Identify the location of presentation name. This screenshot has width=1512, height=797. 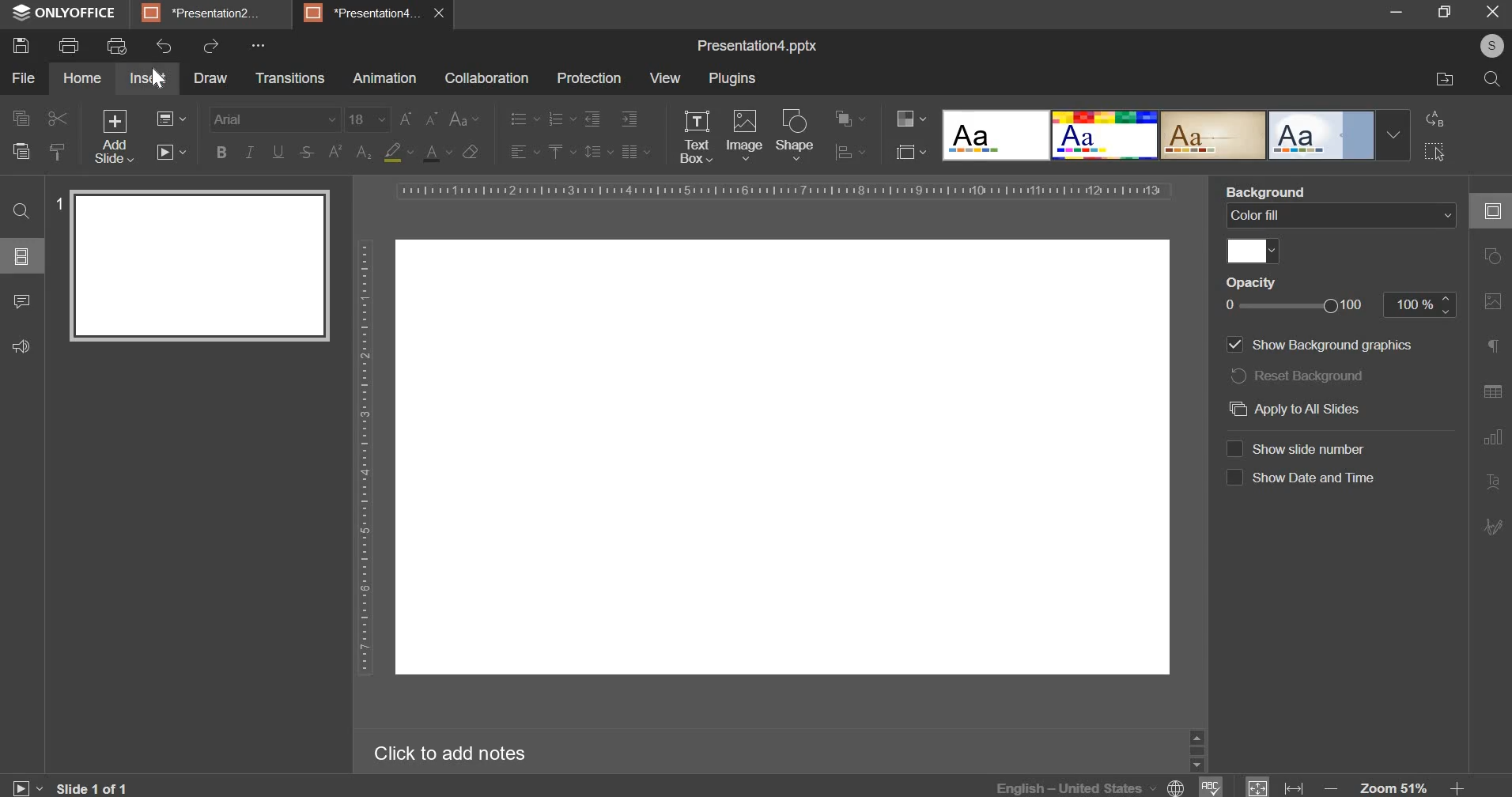
(758, 47).